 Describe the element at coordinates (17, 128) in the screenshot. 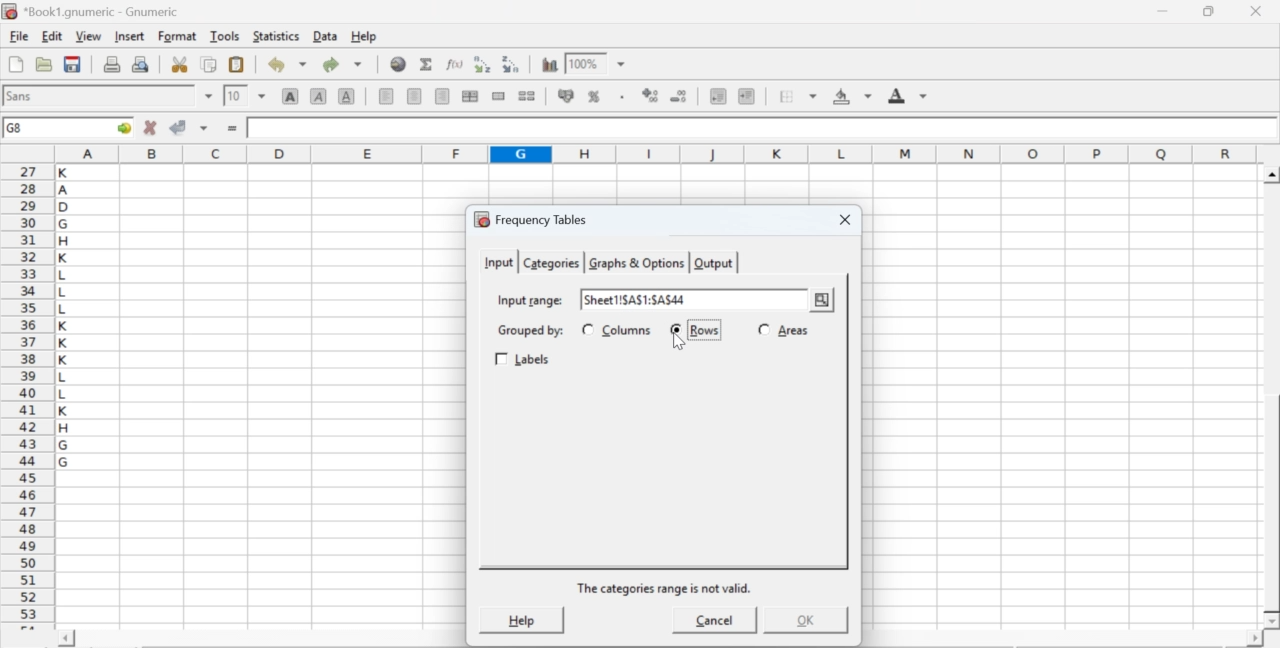

I see `G8` at that location.